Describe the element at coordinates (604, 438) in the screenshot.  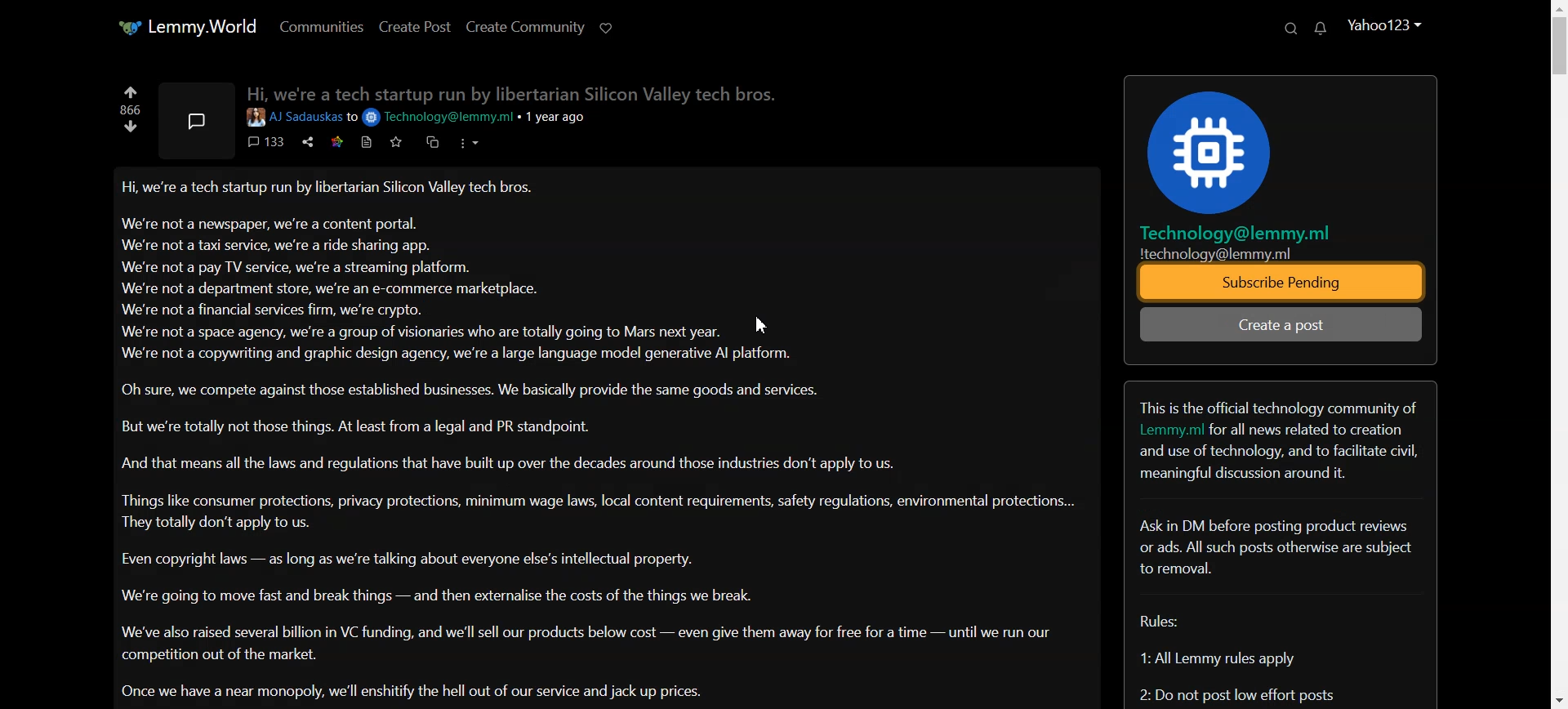
I see `Posts` at that location.